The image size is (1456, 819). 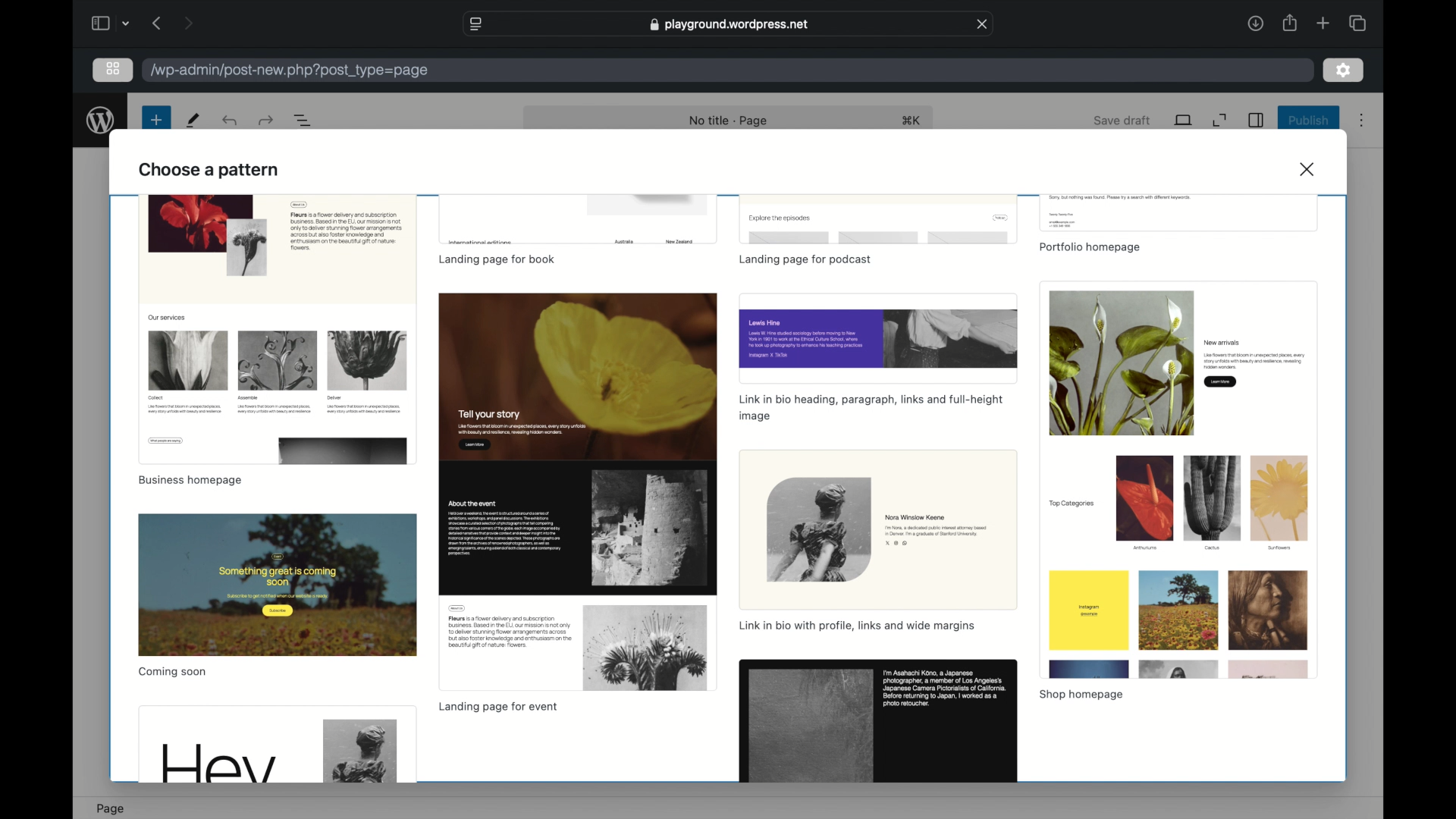 I want to click on template name, so click(x=497, y=259).